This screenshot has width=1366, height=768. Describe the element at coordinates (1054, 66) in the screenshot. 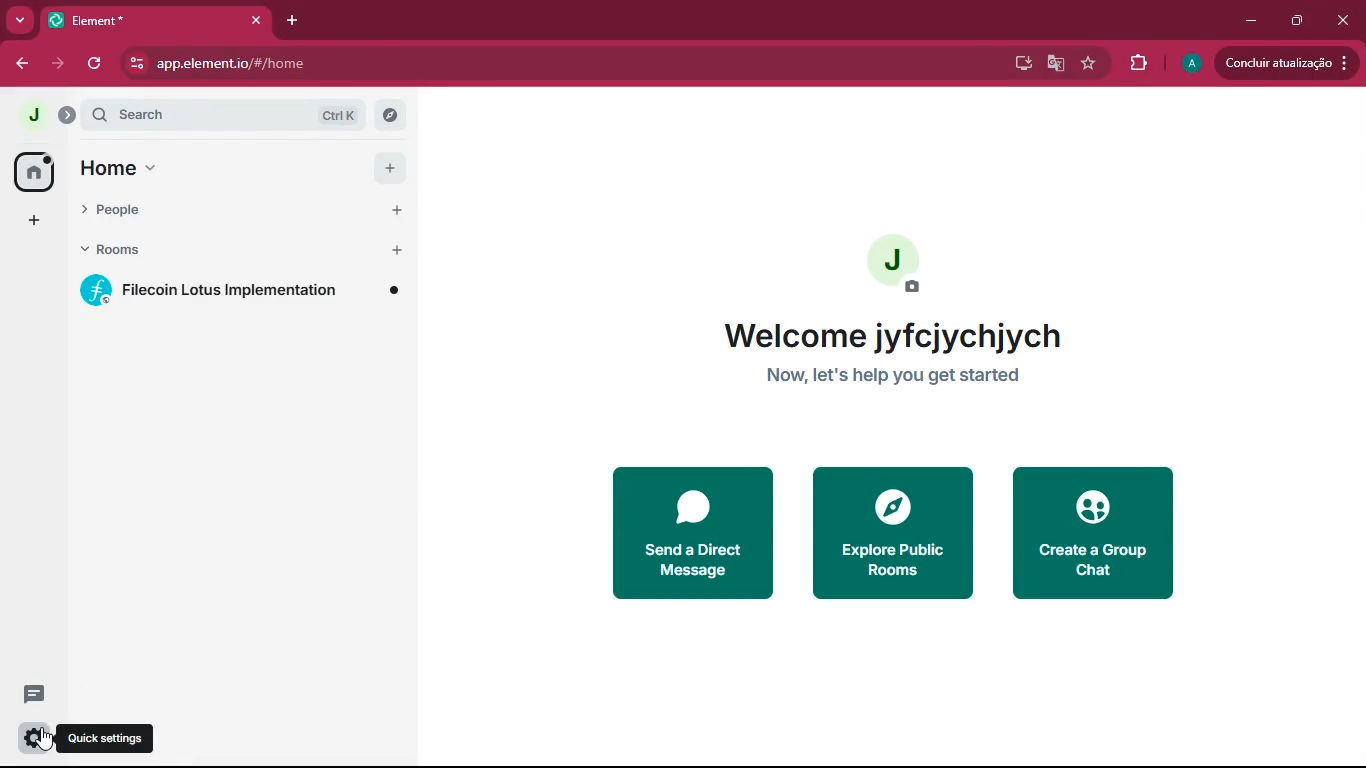

I see `google translate` at that location.